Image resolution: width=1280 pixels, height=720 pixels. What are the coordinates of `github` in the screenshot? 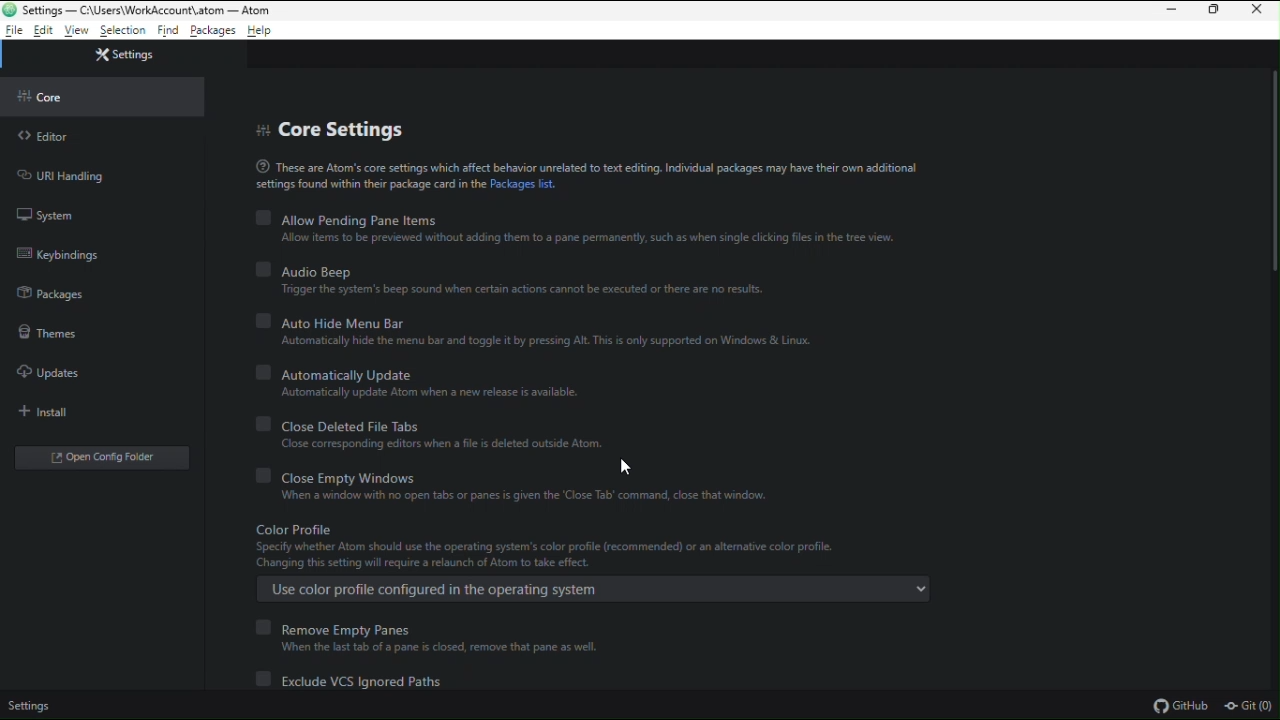 It's located at (1179, 705).